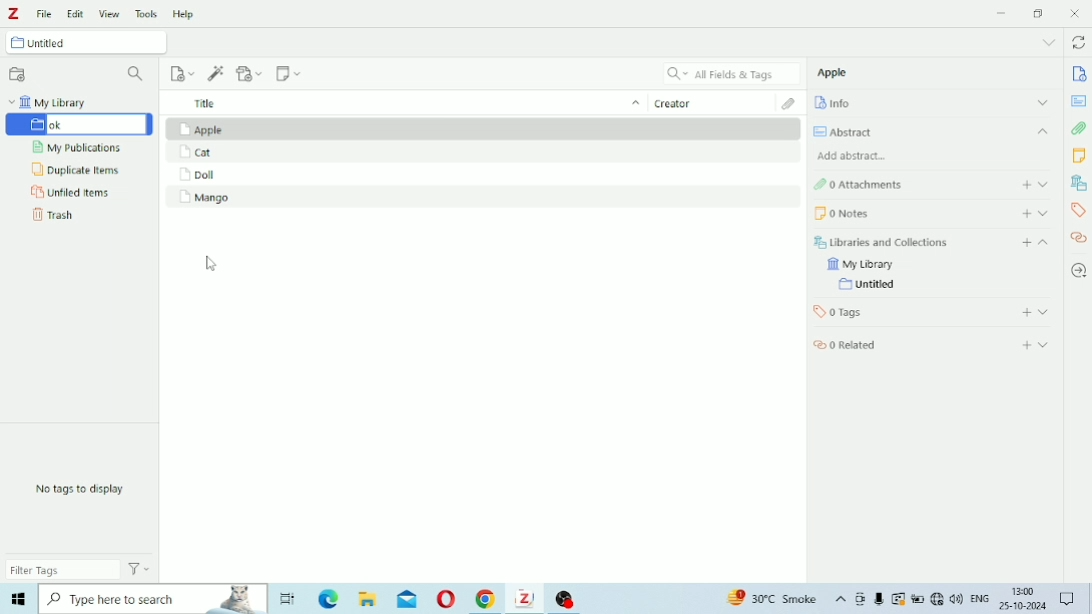 The height and width of the screenshot is (614, 1092). I want to click on cursor, so click(212, 262).